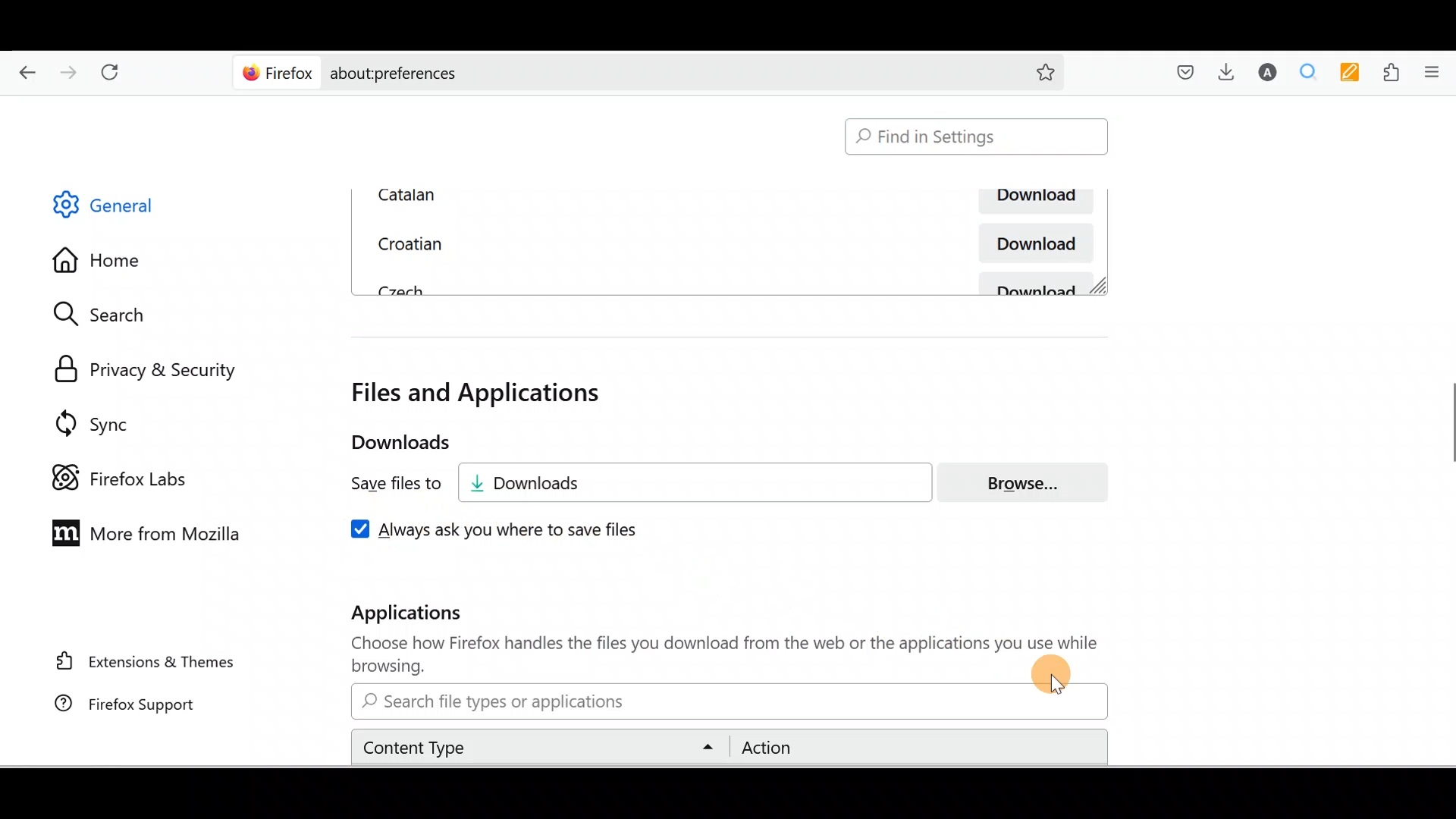  I want to click on Reload current page, so click(119, 75).